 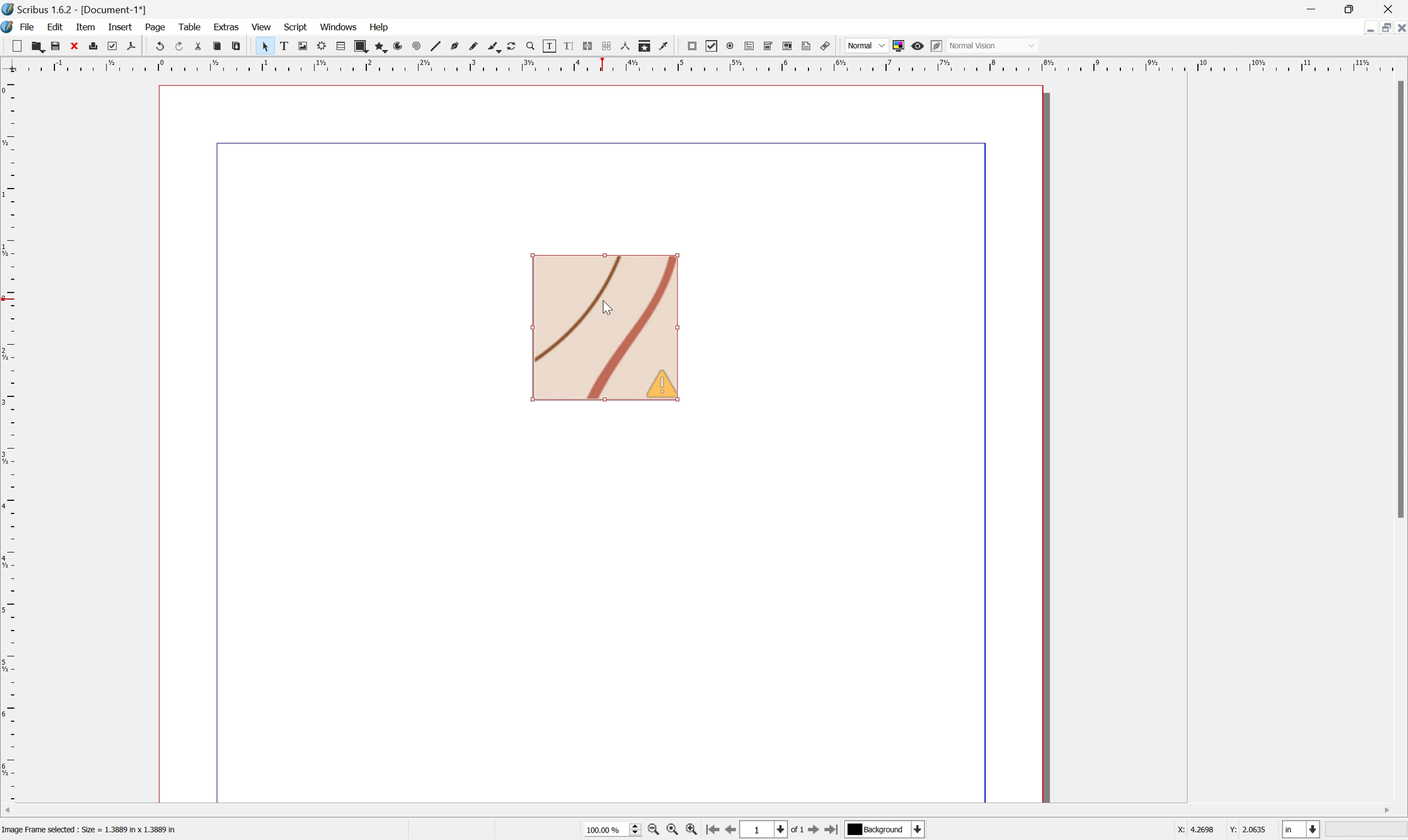 What do you see at coordinates (228, 26) in the screenshot?
I see `Extras` at bounding box center [228, 26].